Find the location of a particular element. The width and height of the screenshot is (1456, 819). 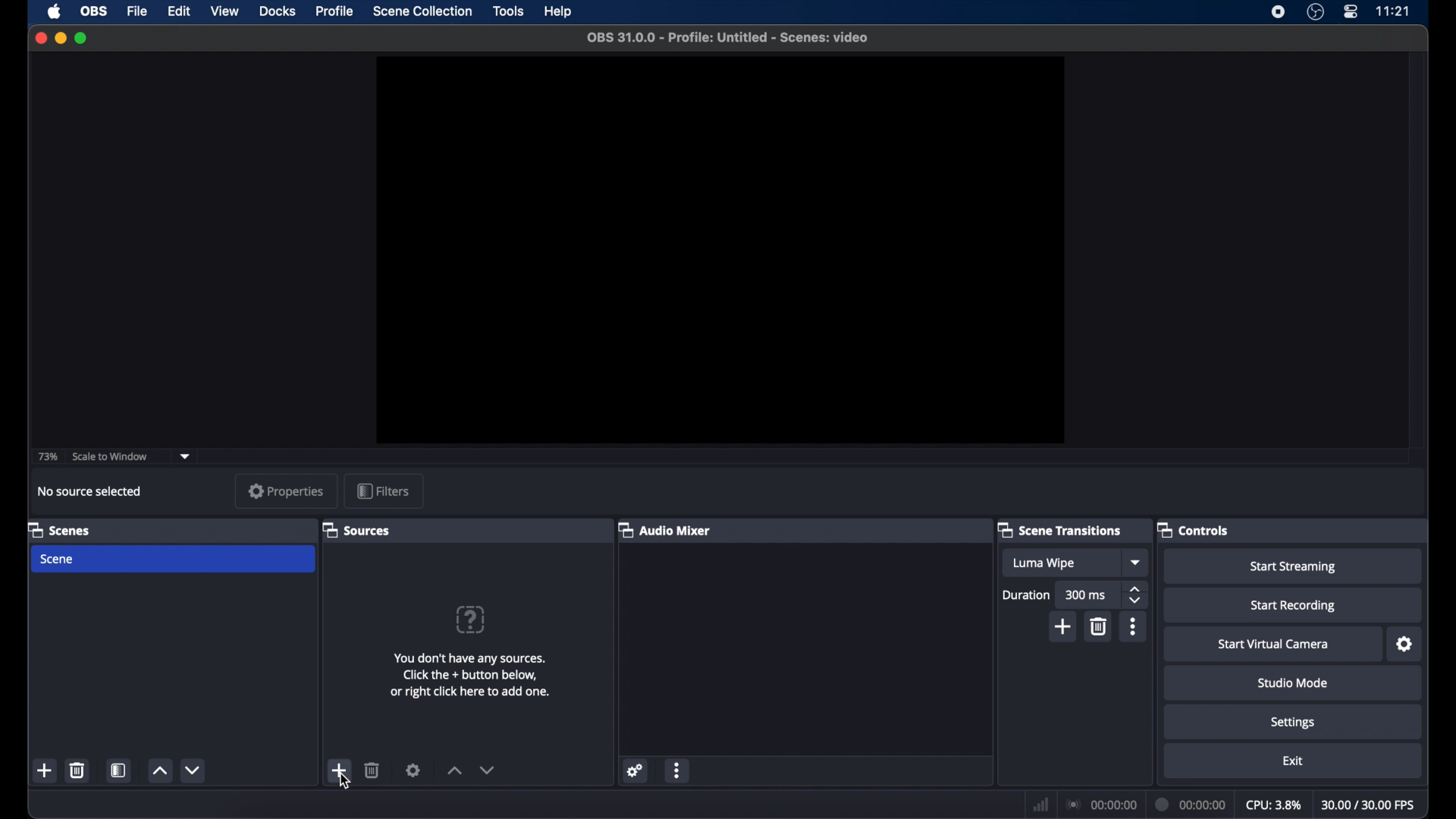

scale to window is located at coordinates (110, 457).